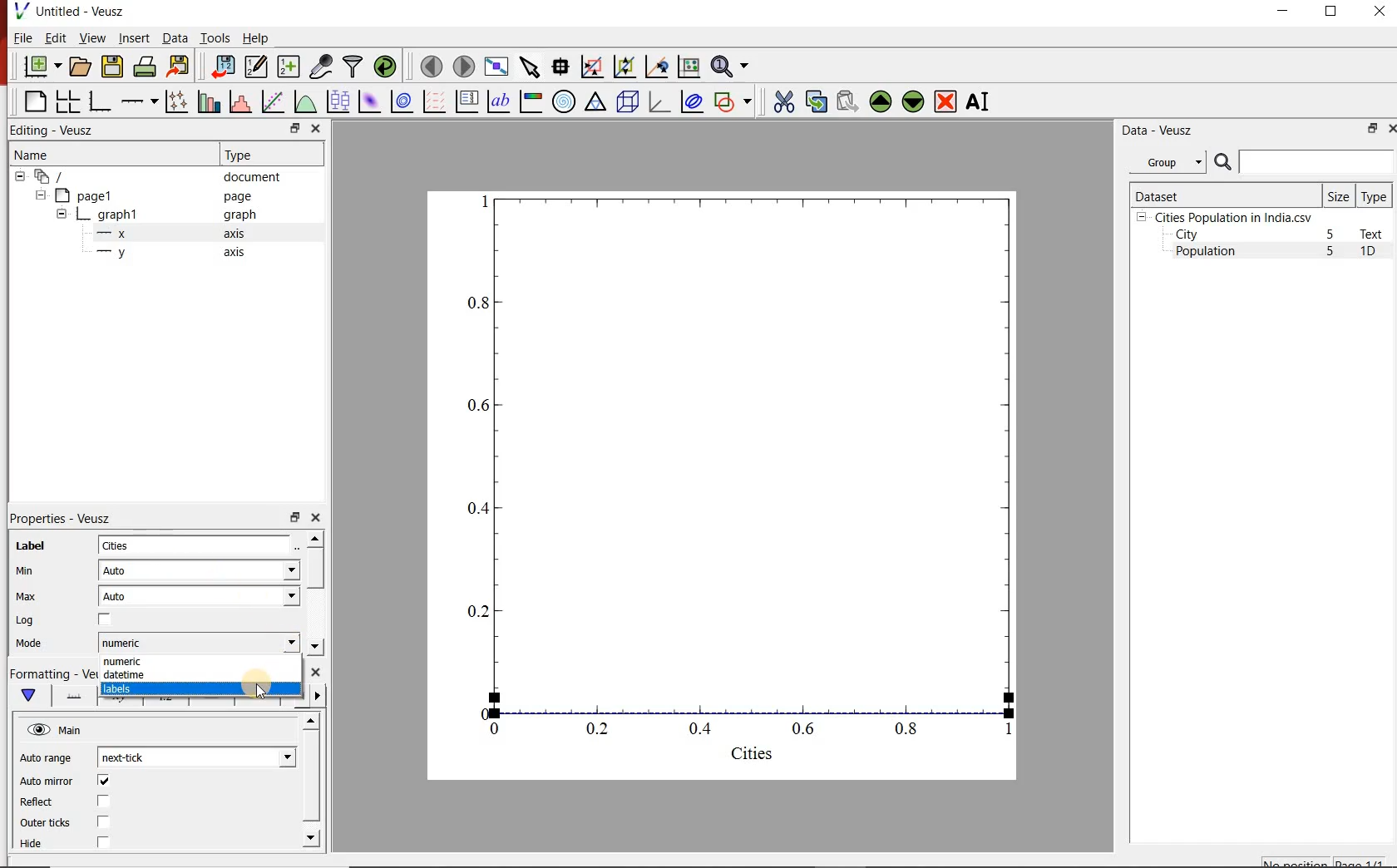 The height and width of the screenshot is (868, 1397). What do you see at coordinates (318, 128) in the screenshot?
I see `close` at bounding box center [318, 128].